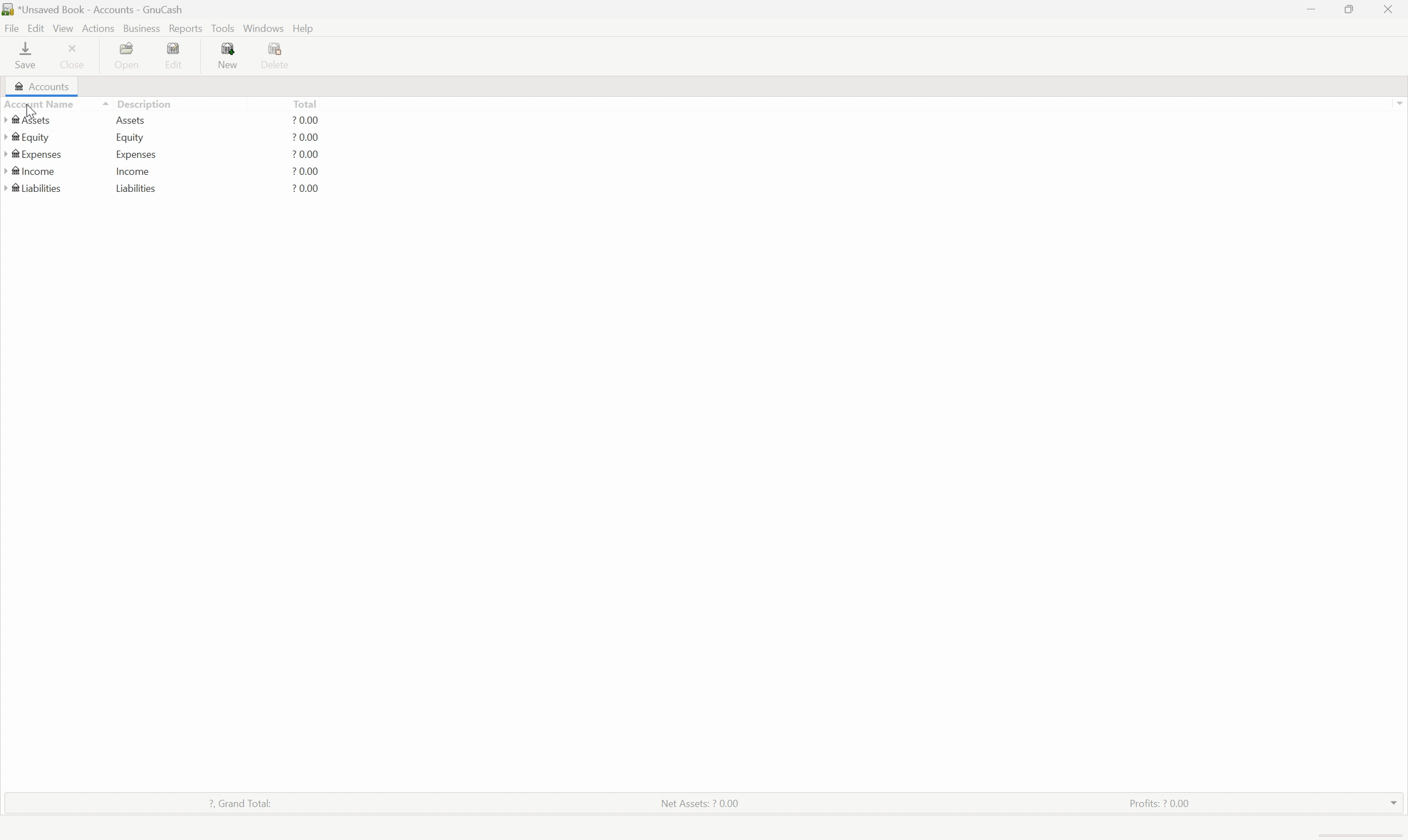 This screenshot has height=840, width=1408. What do you see at coordinates (99, 28) in the screenshot?
I see `Actions` at bounding box center [99, 28].